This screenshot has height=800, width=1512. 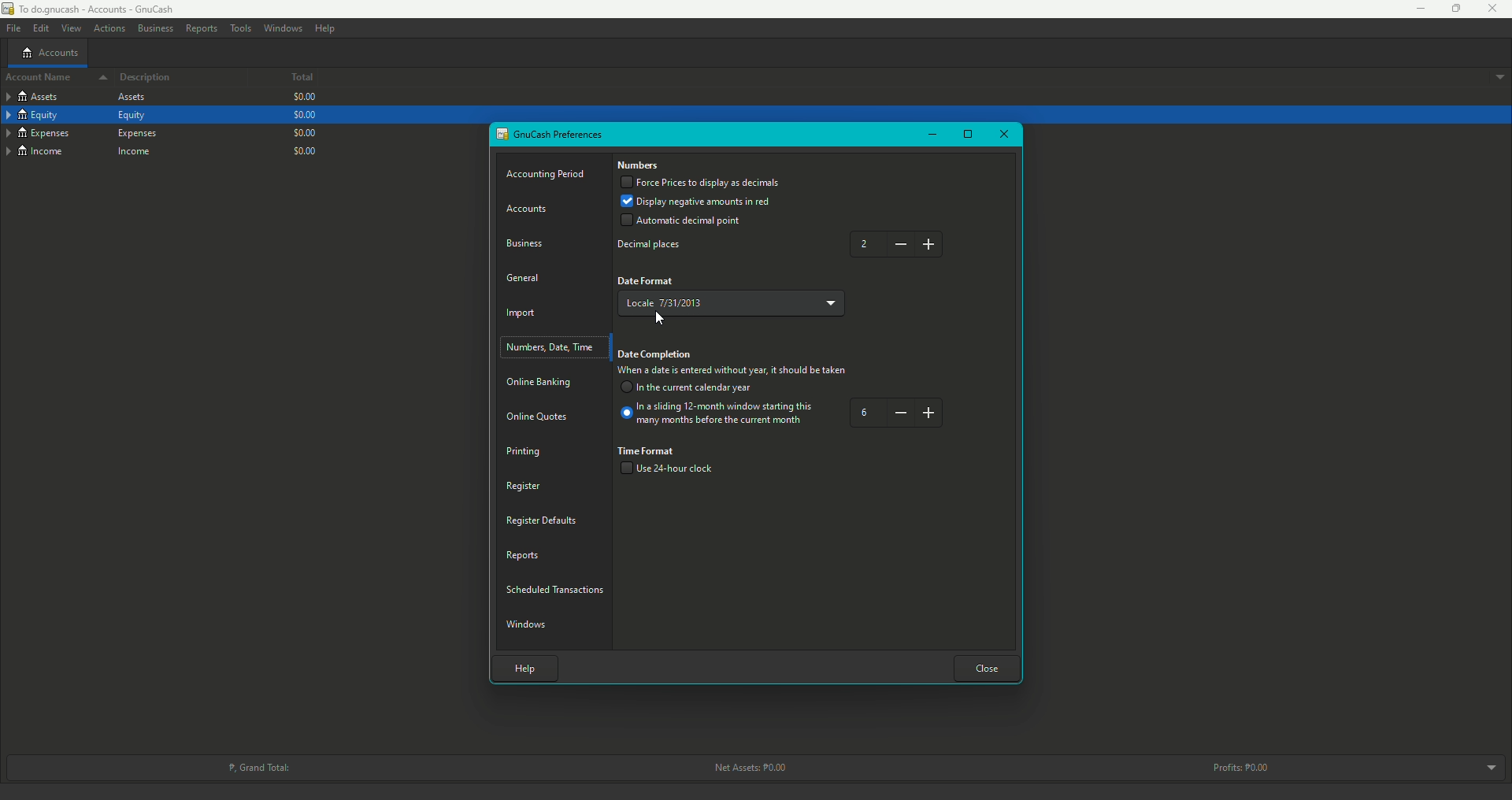 I want to click on When a date is entered without year, so click(x=732, y=372).